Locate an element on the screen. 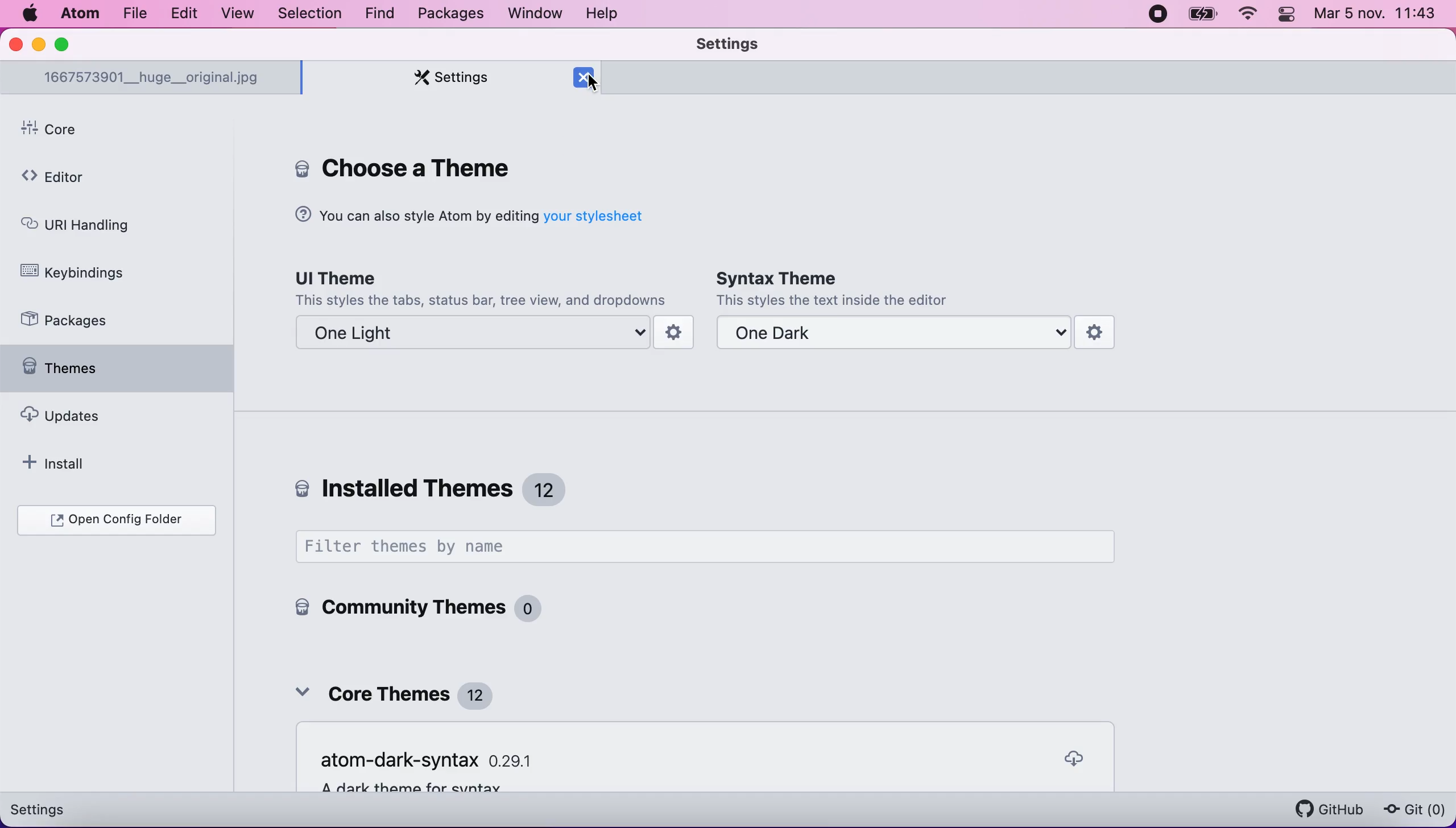 The image size is (1456, 828). filter themes by name is located at coordinates (720, 548).